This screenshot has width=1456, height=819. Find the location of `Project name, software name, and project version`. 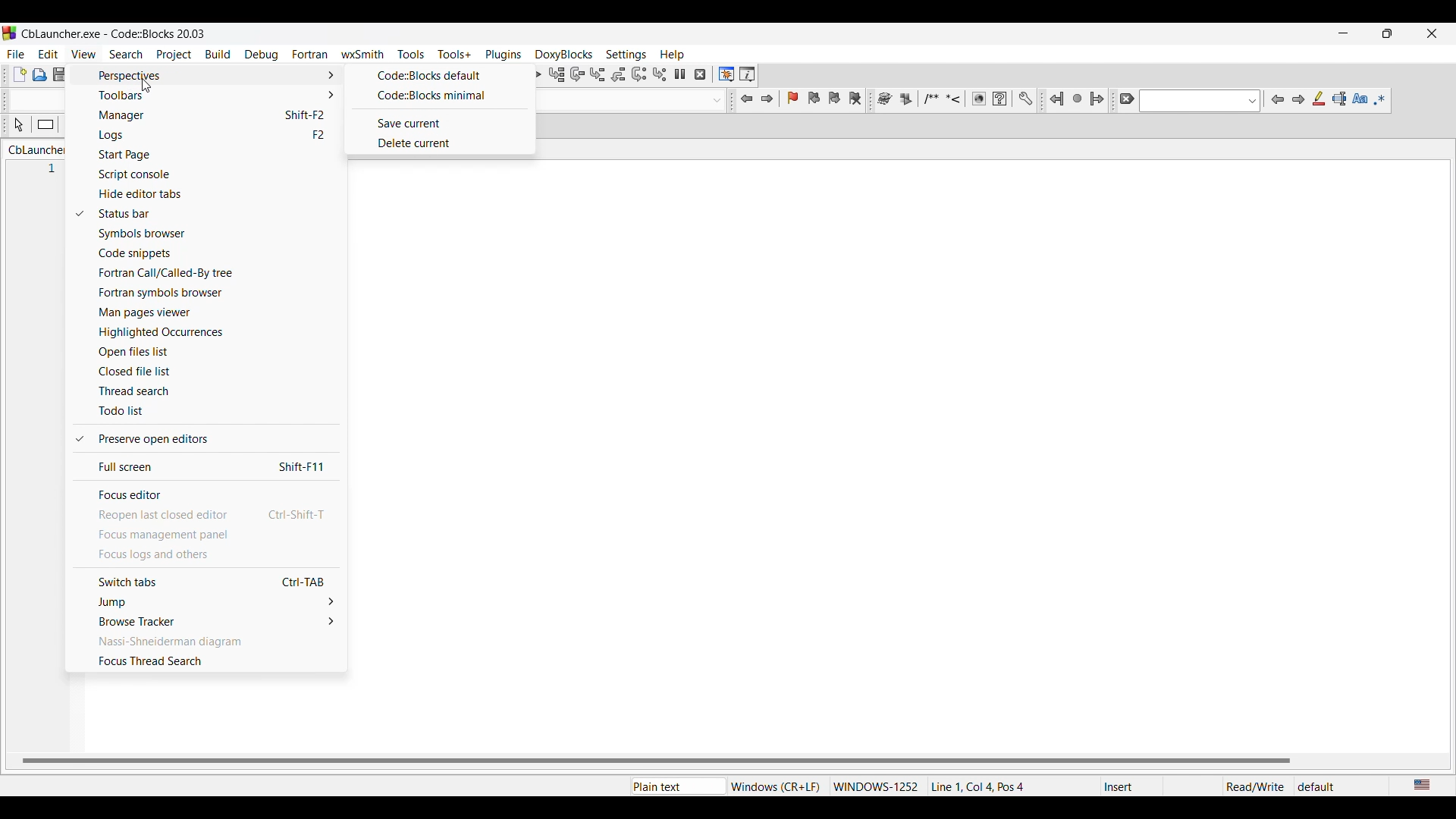

Project name, software name, and project version is located at coordinates (113, 34).